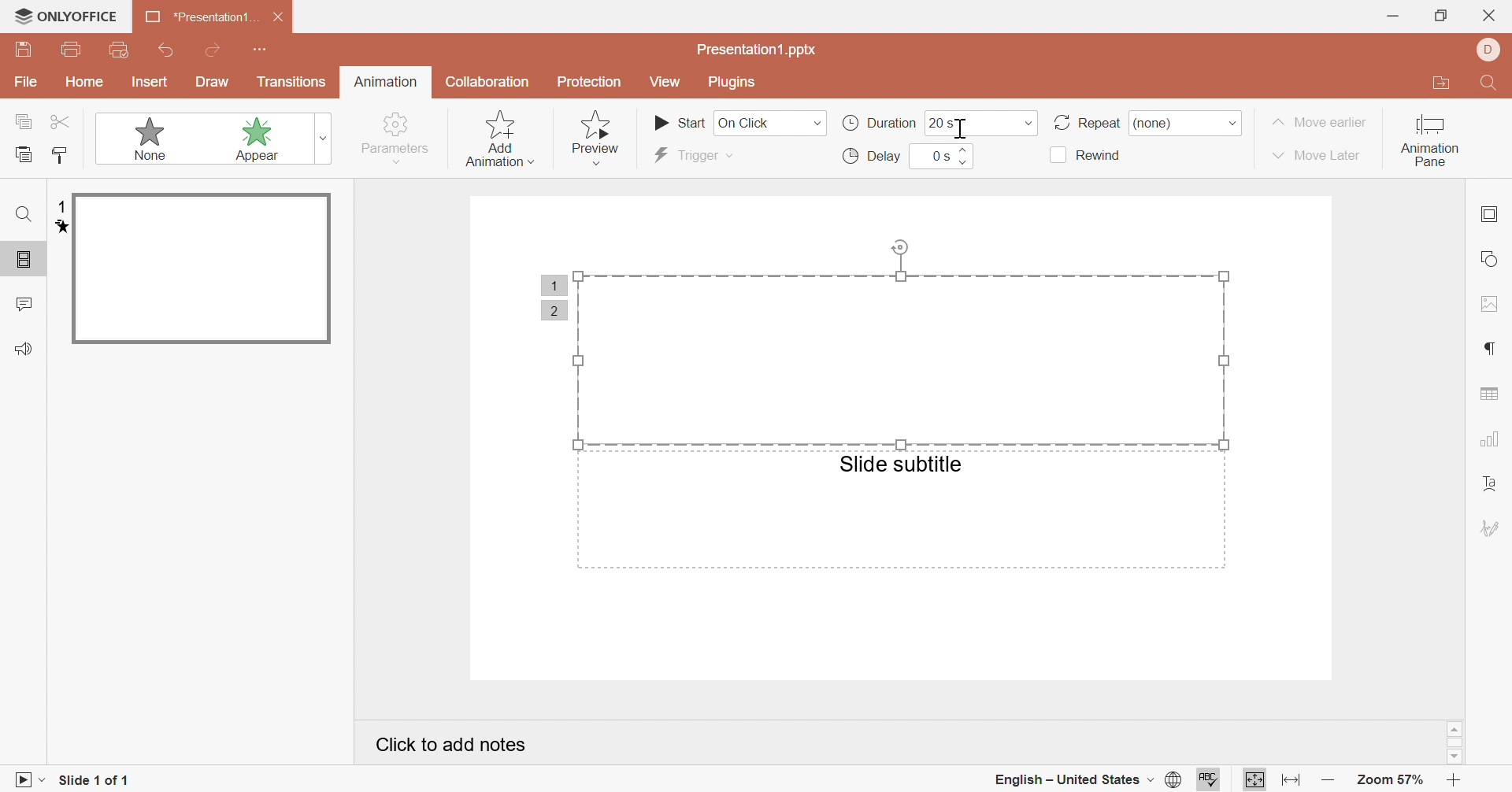 This screenshot has width=1512, height=792. Describe the element at coordinates (1491, 438) in the screenshot. I see `chart settings` at that location.